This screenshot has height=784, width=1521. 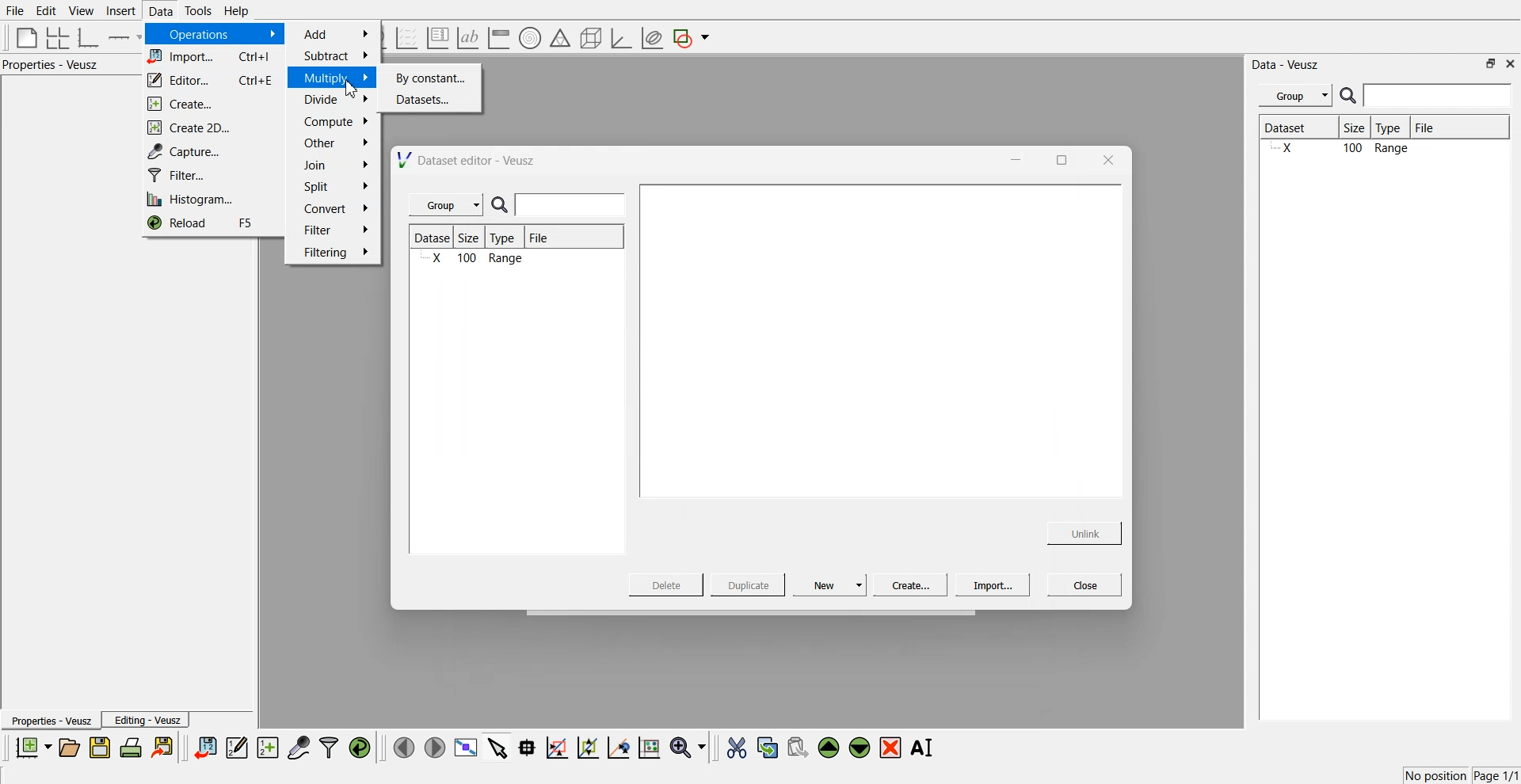 What do you see at coordinates (1511, 63) in the screenshot?
I see `close` at bounding box center [1511, 63].